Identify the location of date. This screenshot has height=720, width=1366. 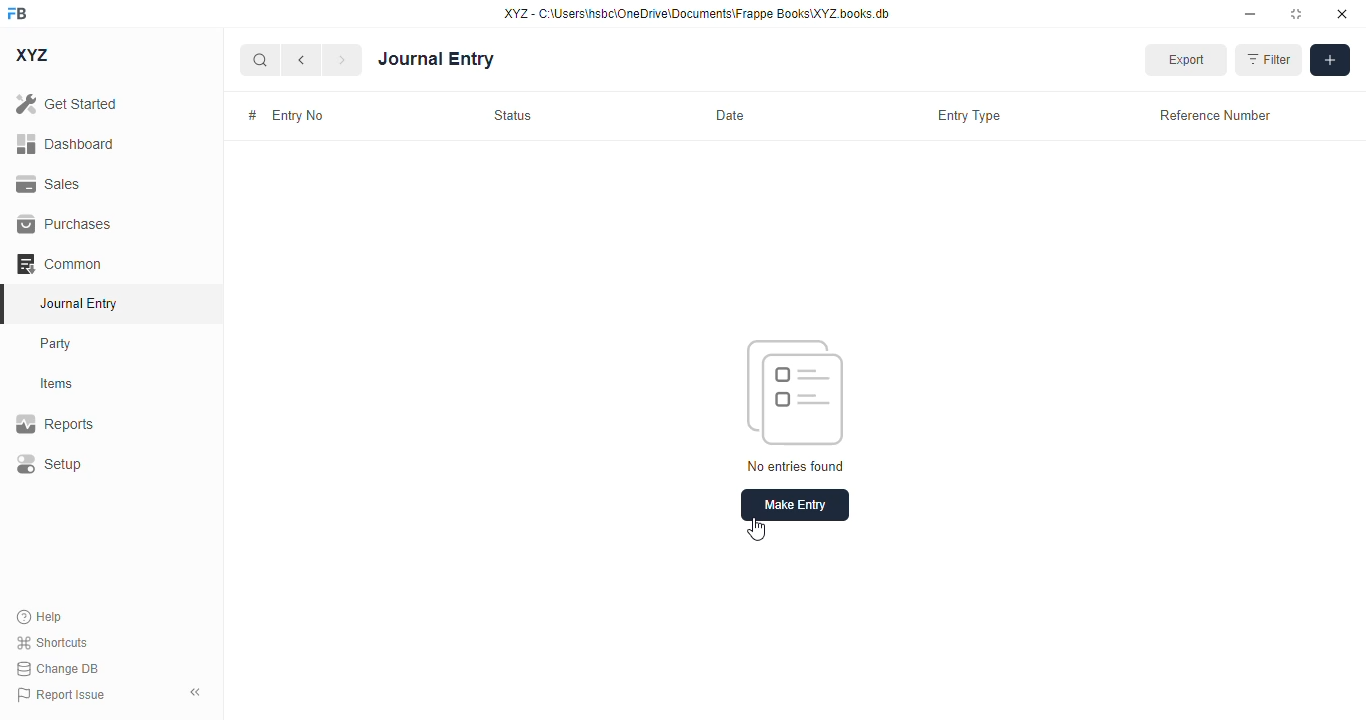
(730, 114).